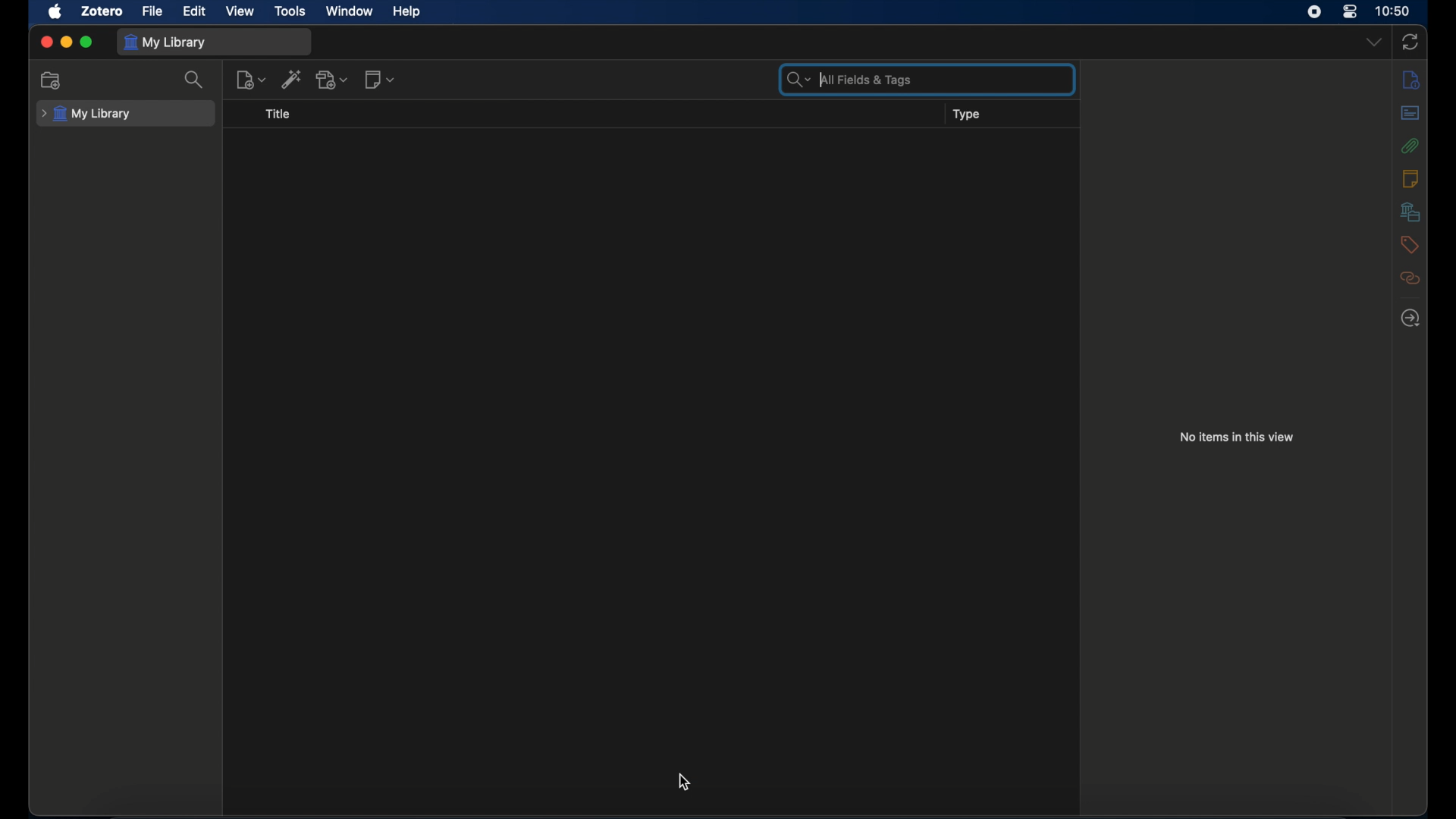 This screenshot has width=1456, height=819. Describe the element at coordinates (1411, 178) in the screenshot. I see `notes` at that location.